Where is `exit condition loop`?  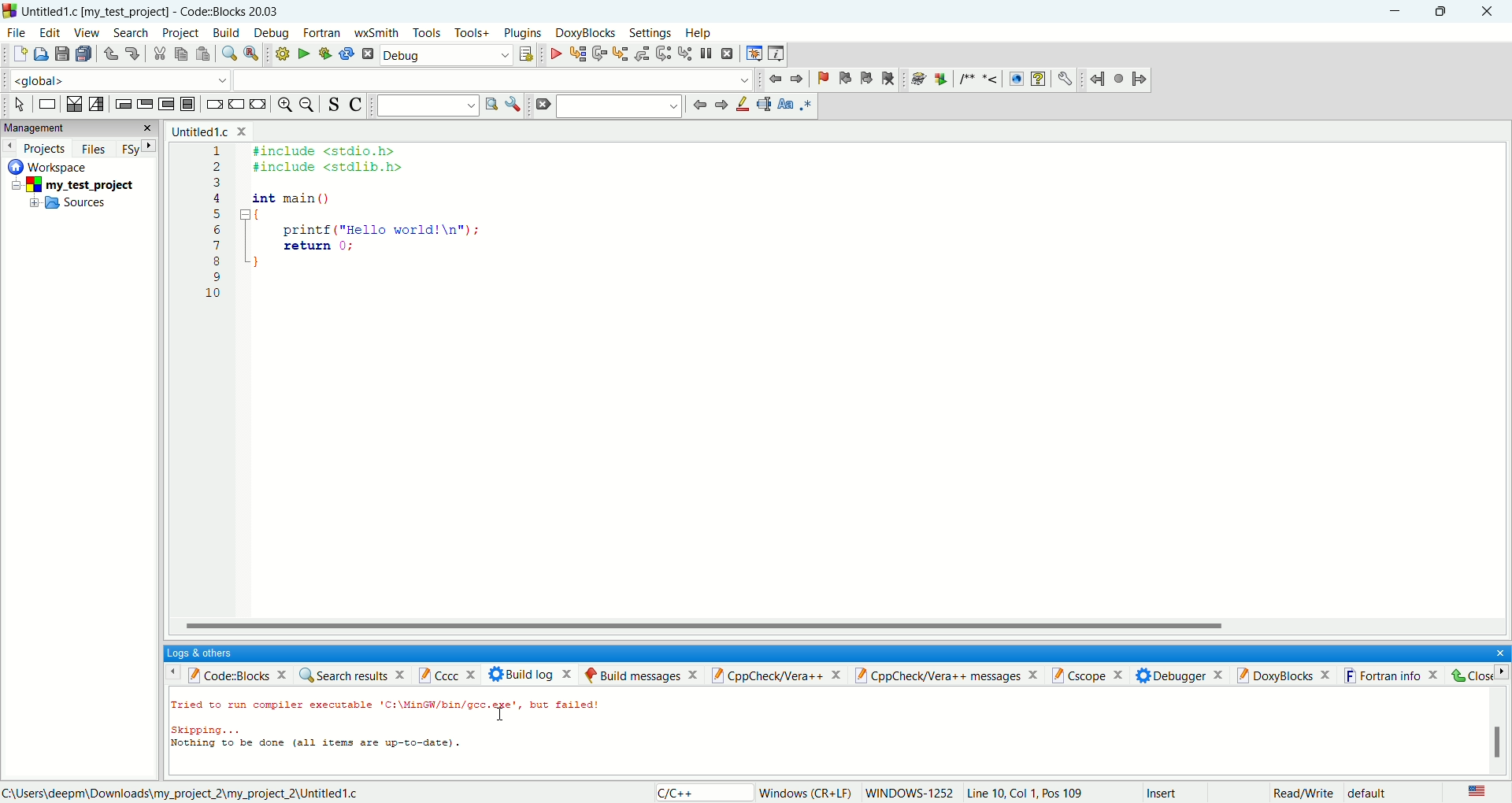 exit condition loop is located at coordinates (144, 103).